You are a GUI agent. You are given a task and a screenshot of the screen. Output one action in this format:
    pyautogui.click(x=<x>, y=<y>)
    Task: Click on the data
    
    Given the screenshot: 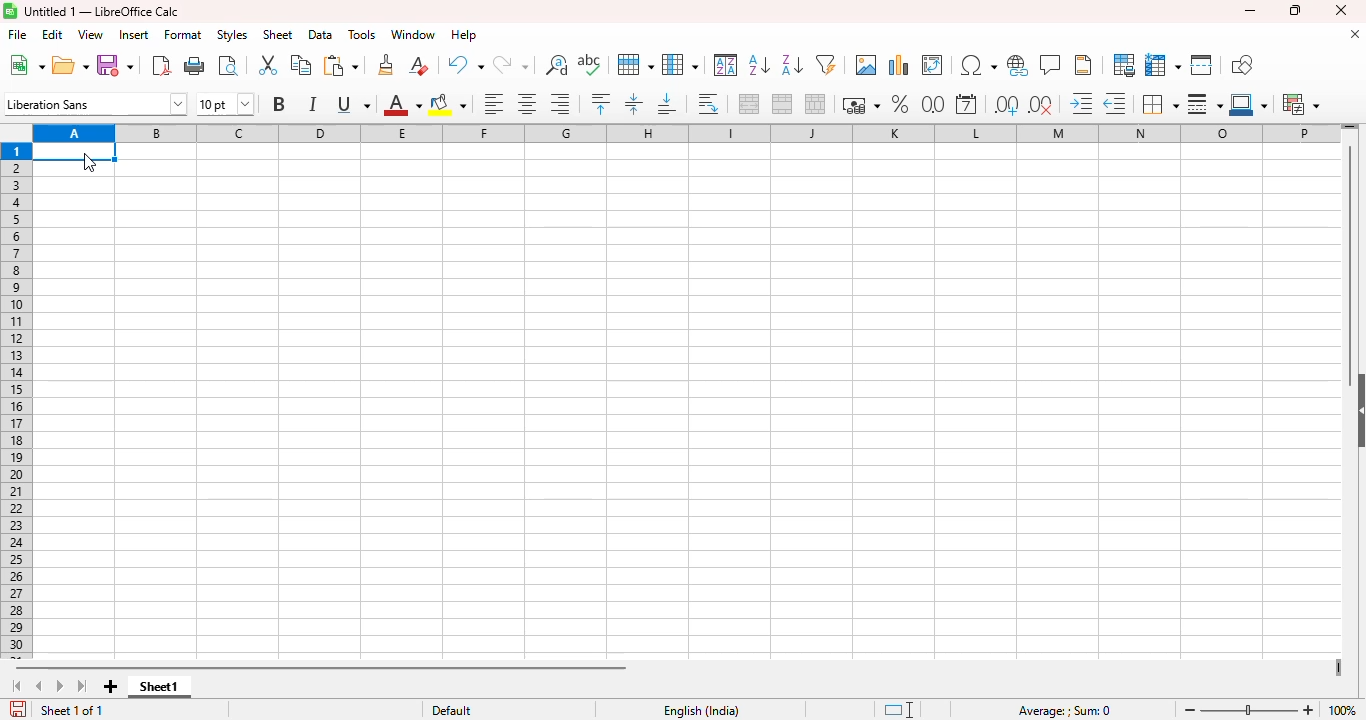 What is the action you would take?
    pyautogui.click(x=321, y=34)
    